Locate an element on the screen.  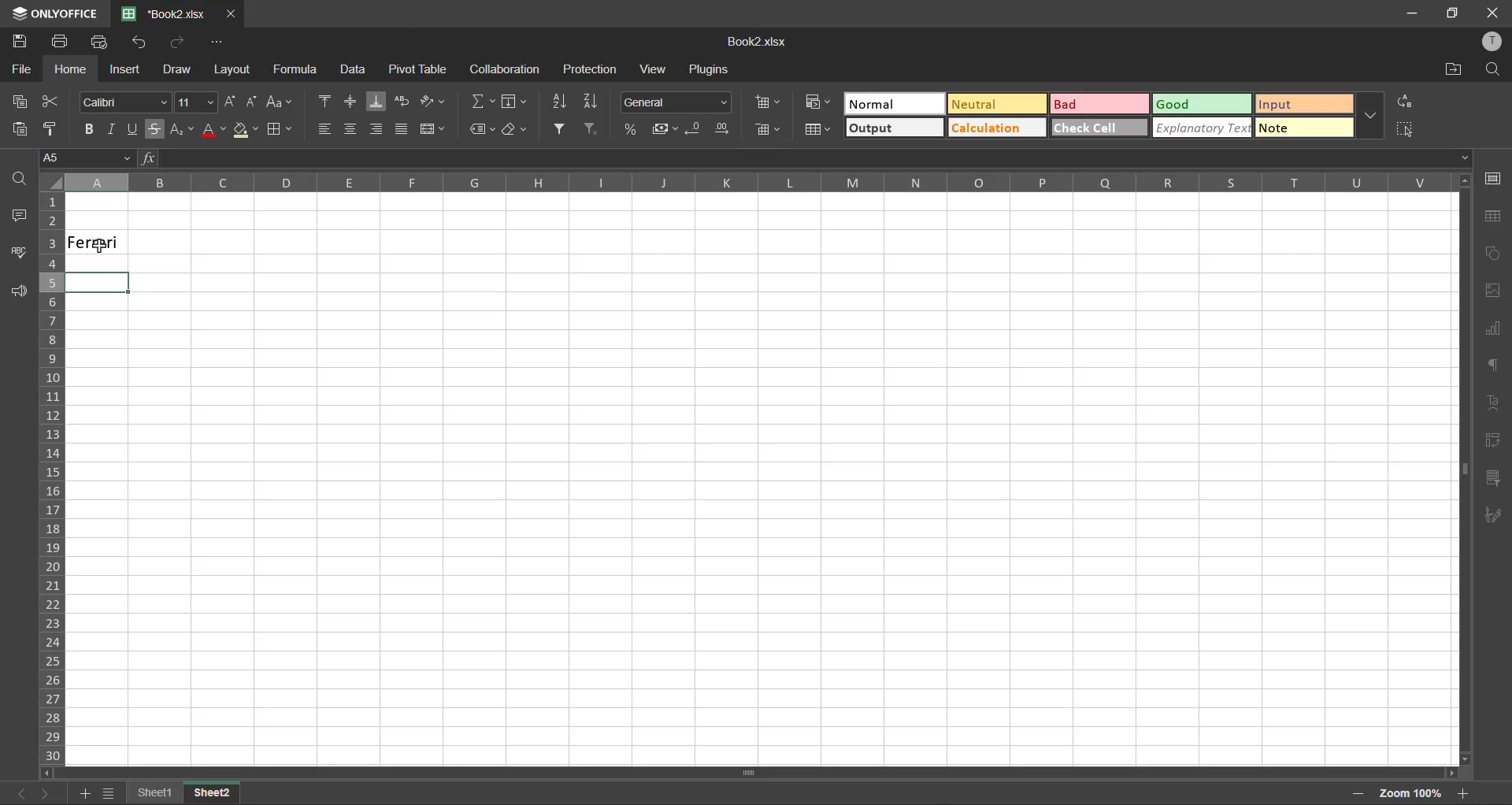
paragraph is located at coordinates (1497, 367).